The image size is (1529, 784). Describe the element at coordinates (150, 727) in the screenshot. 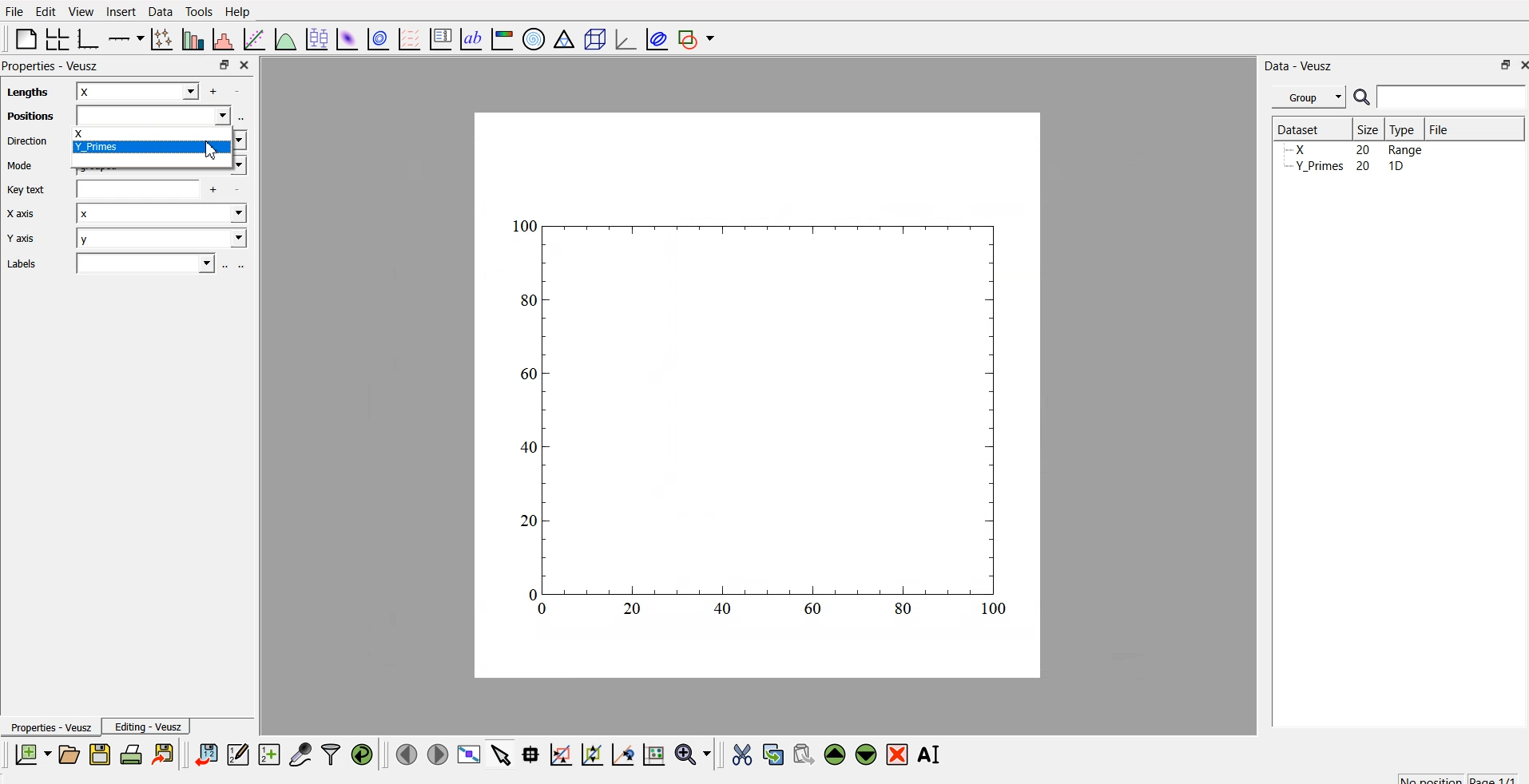

I see `Editing - Veusz` at that location.